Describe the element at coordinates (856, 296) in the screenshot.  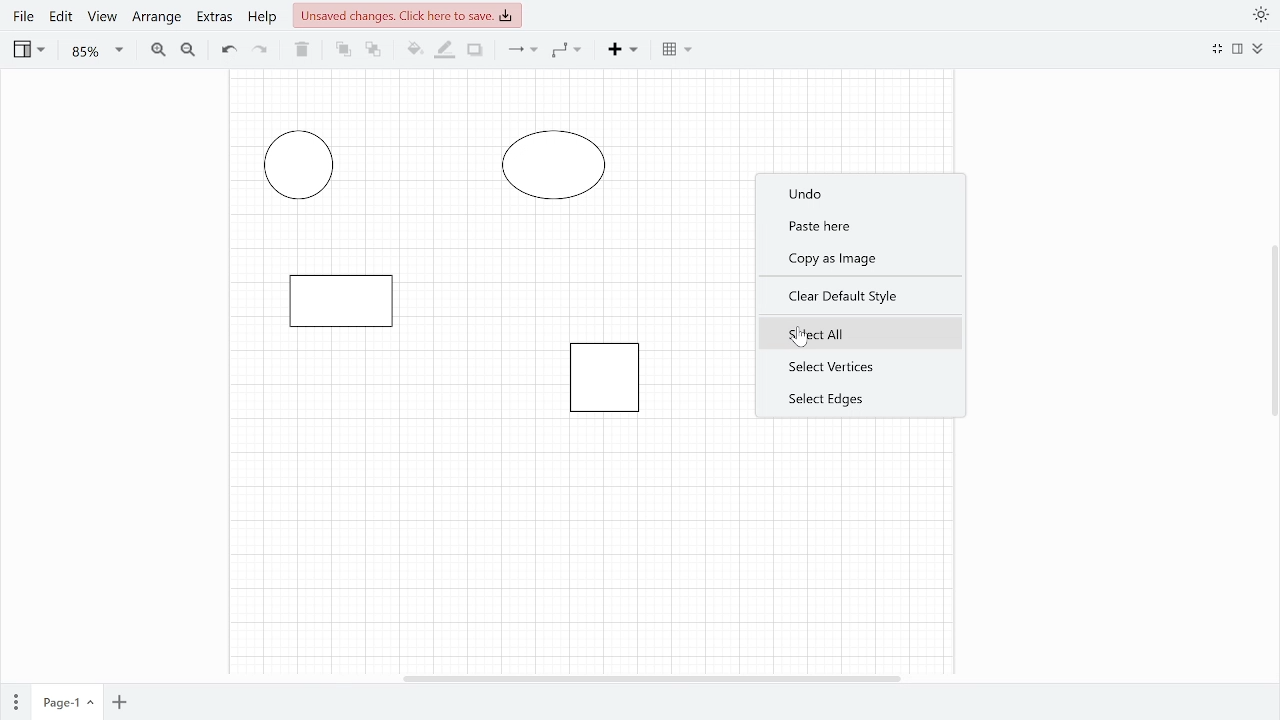
I see `Clear default style` at that location.